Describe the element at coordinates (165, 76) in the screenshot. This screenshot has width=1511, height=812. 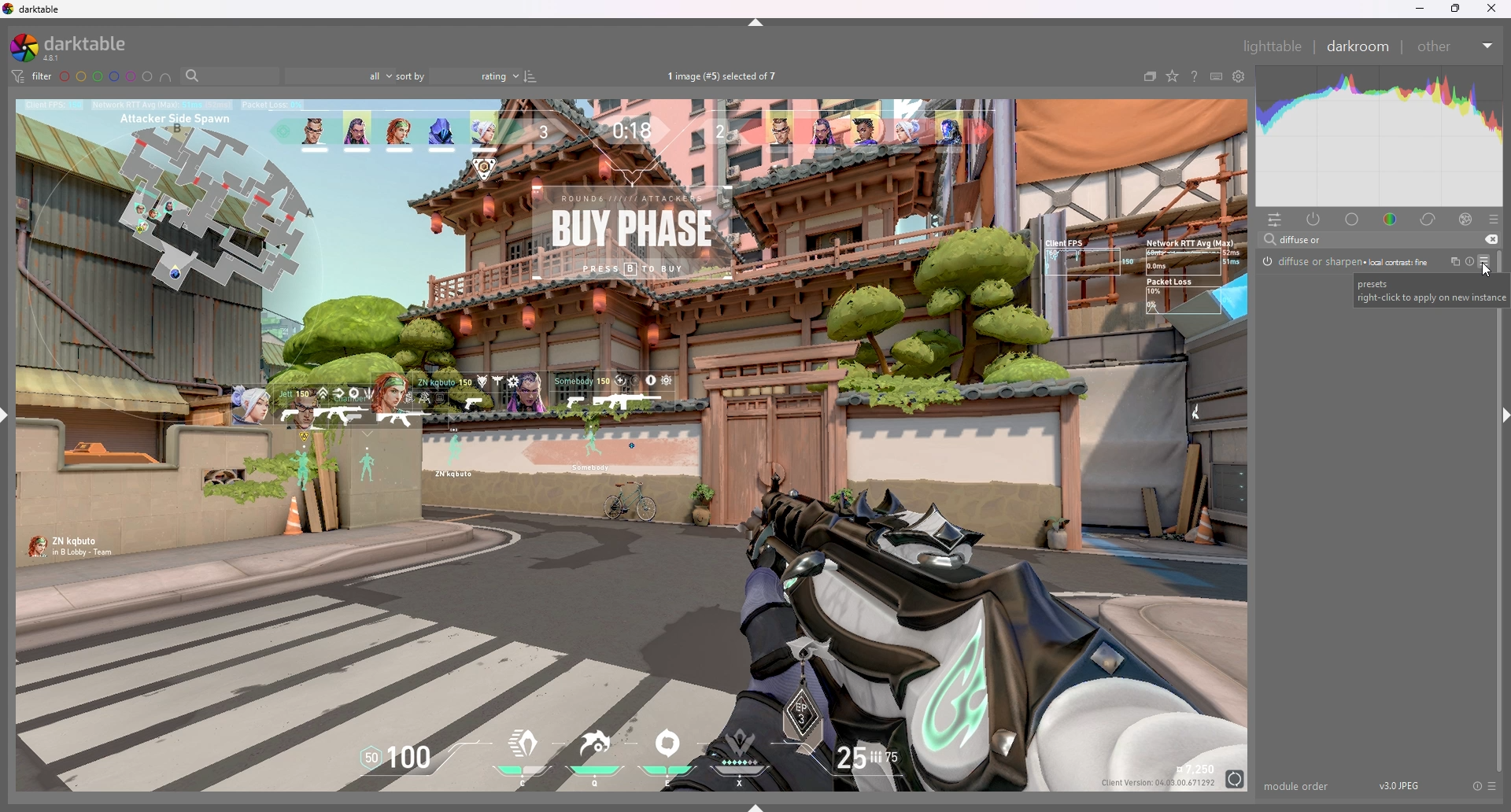
I see `include color labels` at that location.